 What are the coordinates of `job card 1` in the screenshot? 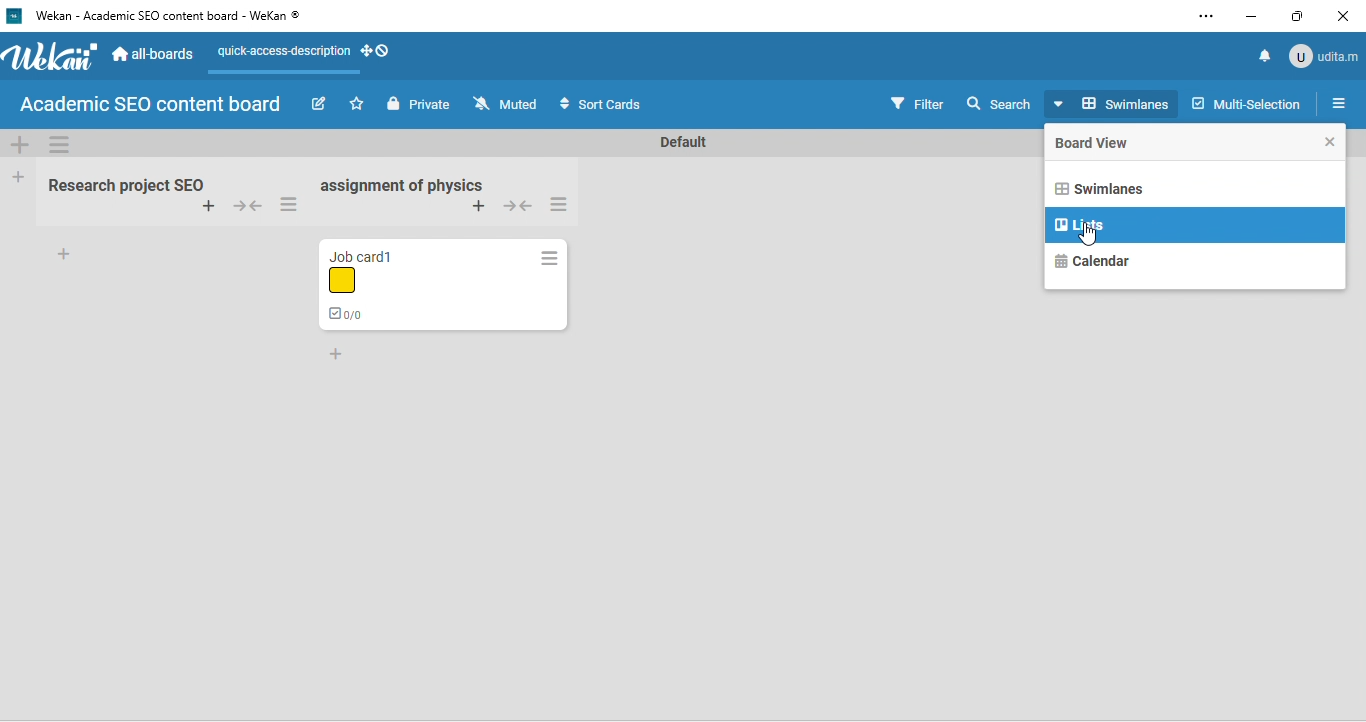 It's located at (390, 286).